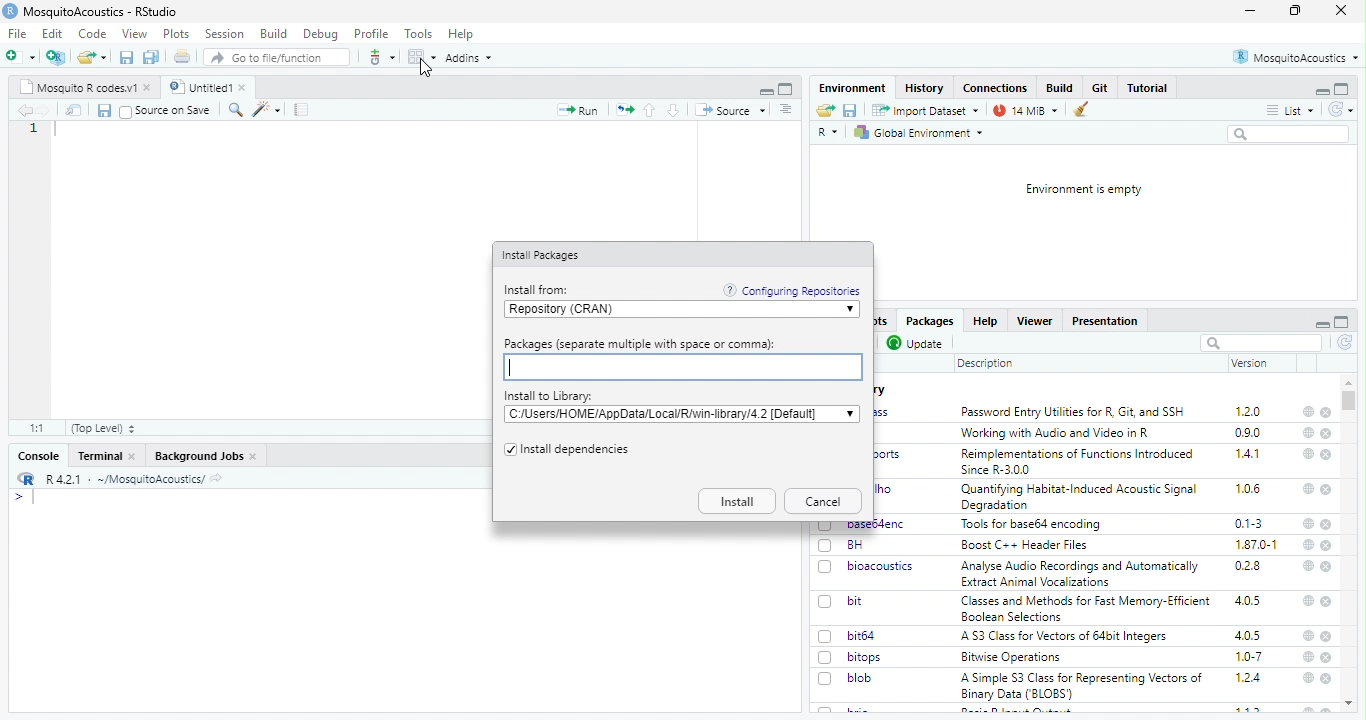 This screenshot has width=1366, height=720. What do you see at coordinates (1295, 57) in the screenshot?
I see `MosquitoAcoustics` at bounding box center [1295, 57].